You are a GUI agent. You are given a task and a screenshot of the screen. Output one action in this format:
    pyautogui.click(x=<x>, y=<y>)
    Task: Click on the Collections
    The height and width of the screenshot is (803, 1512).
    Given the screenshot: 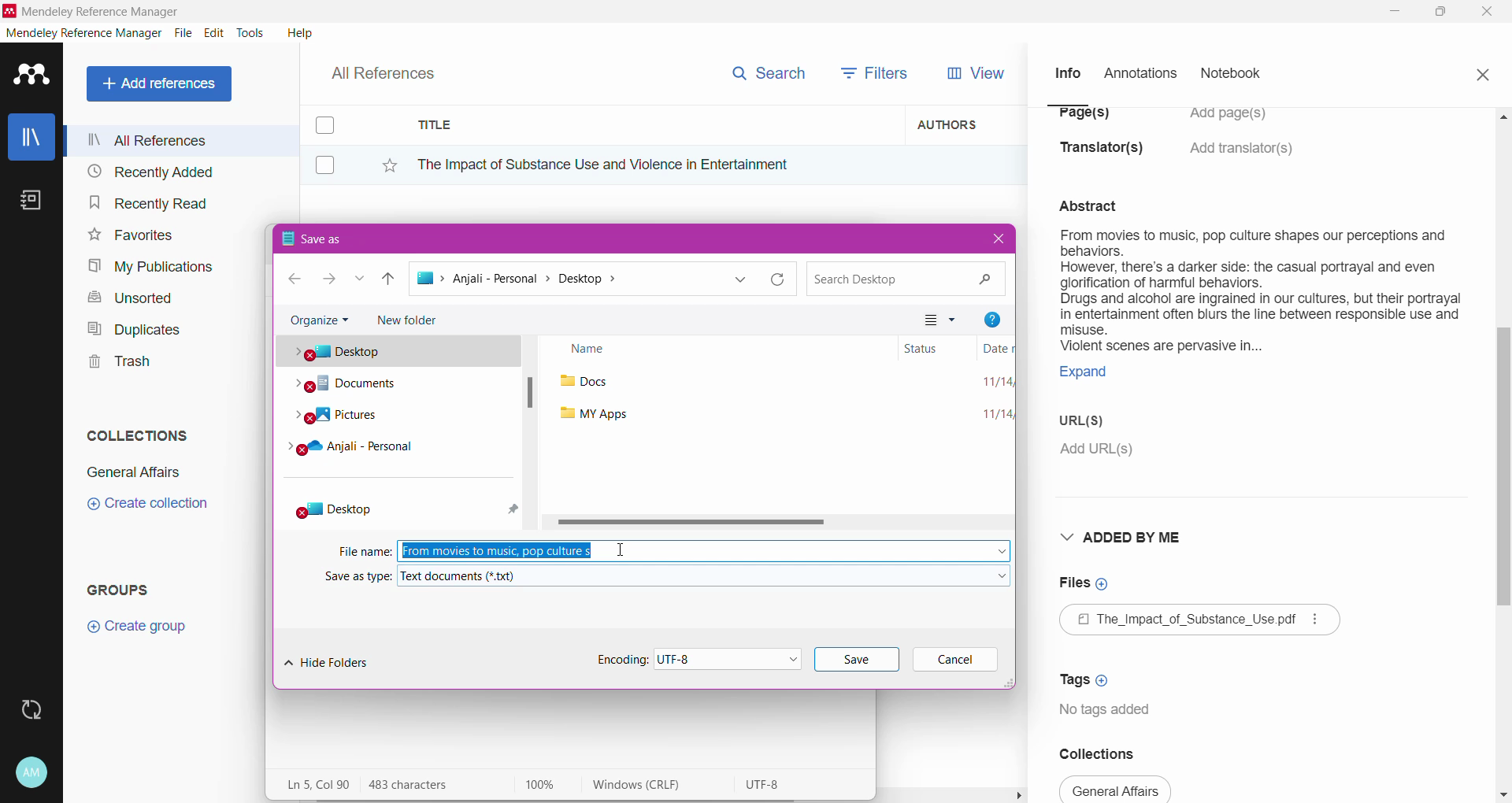 What is the action you would take?
    pyautogui.click(x=1109, y=753)
    